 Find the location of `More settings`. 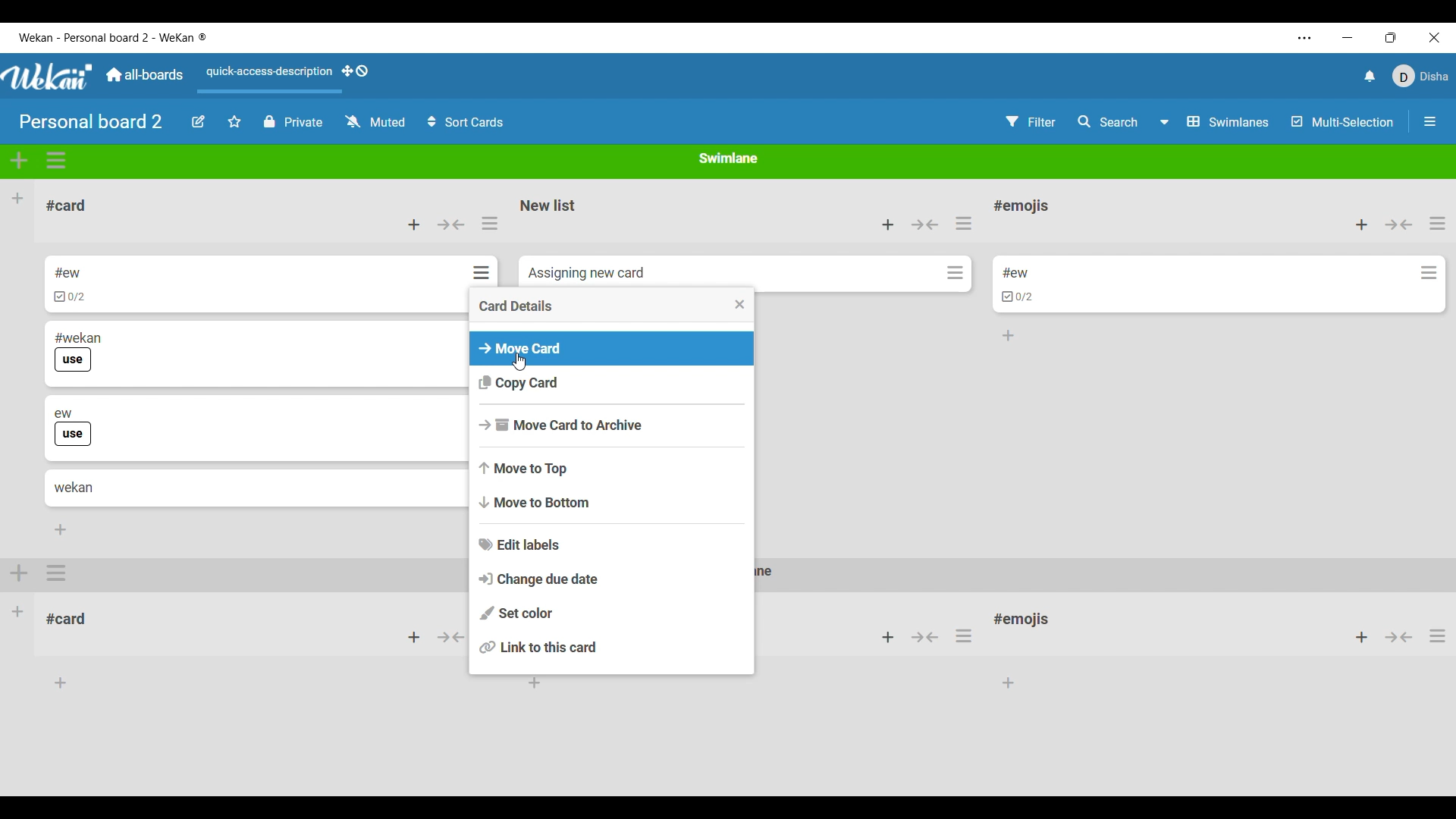

More settings is located at coordinates (1305, 38).